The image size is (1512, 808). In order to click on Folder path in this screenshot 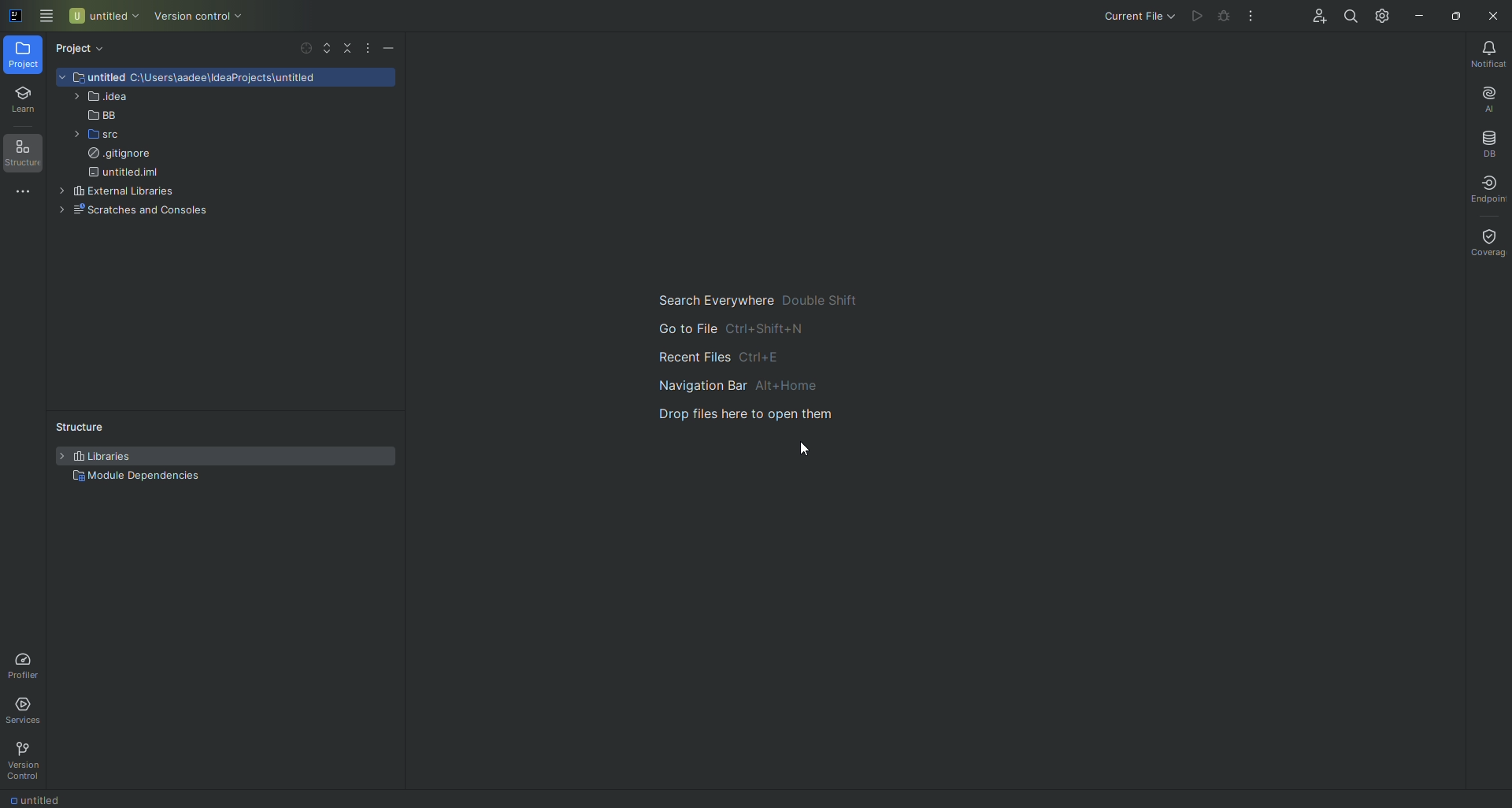, I will do `click(235, 80)`.